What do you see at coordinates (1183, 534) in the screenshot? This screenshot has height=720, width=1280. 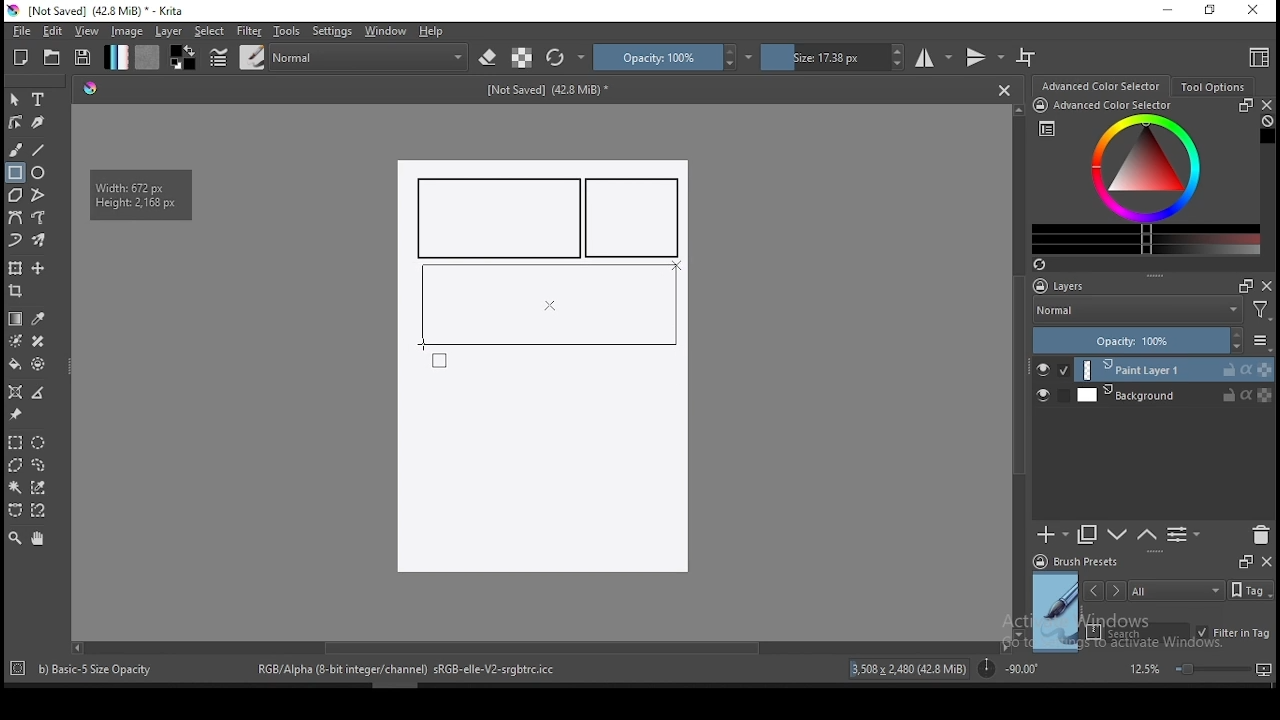 I see `view or change layer properties` at bounding box center [1183, 534].